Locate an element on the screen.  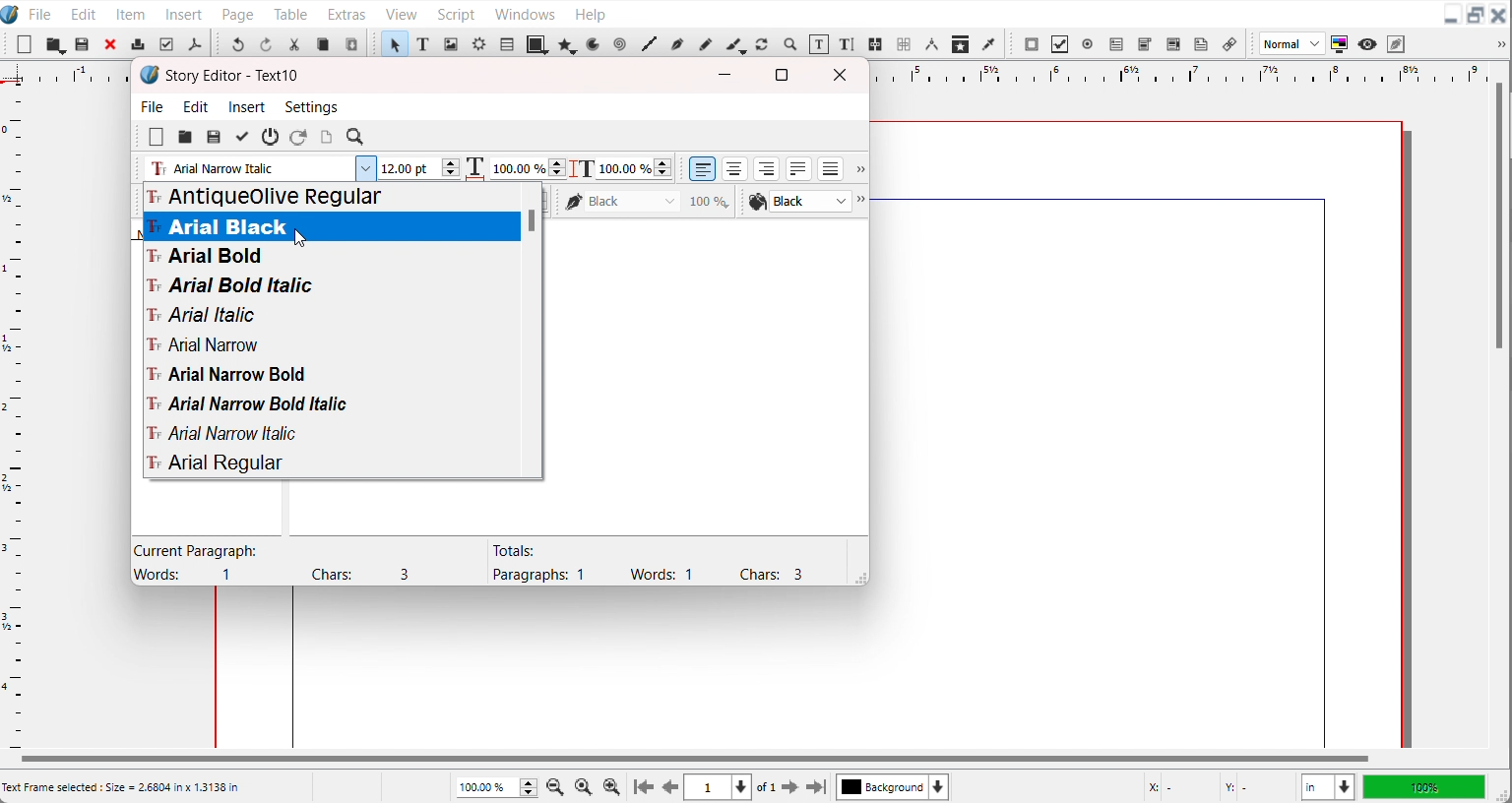
Text is located at coordinates (233, 76).